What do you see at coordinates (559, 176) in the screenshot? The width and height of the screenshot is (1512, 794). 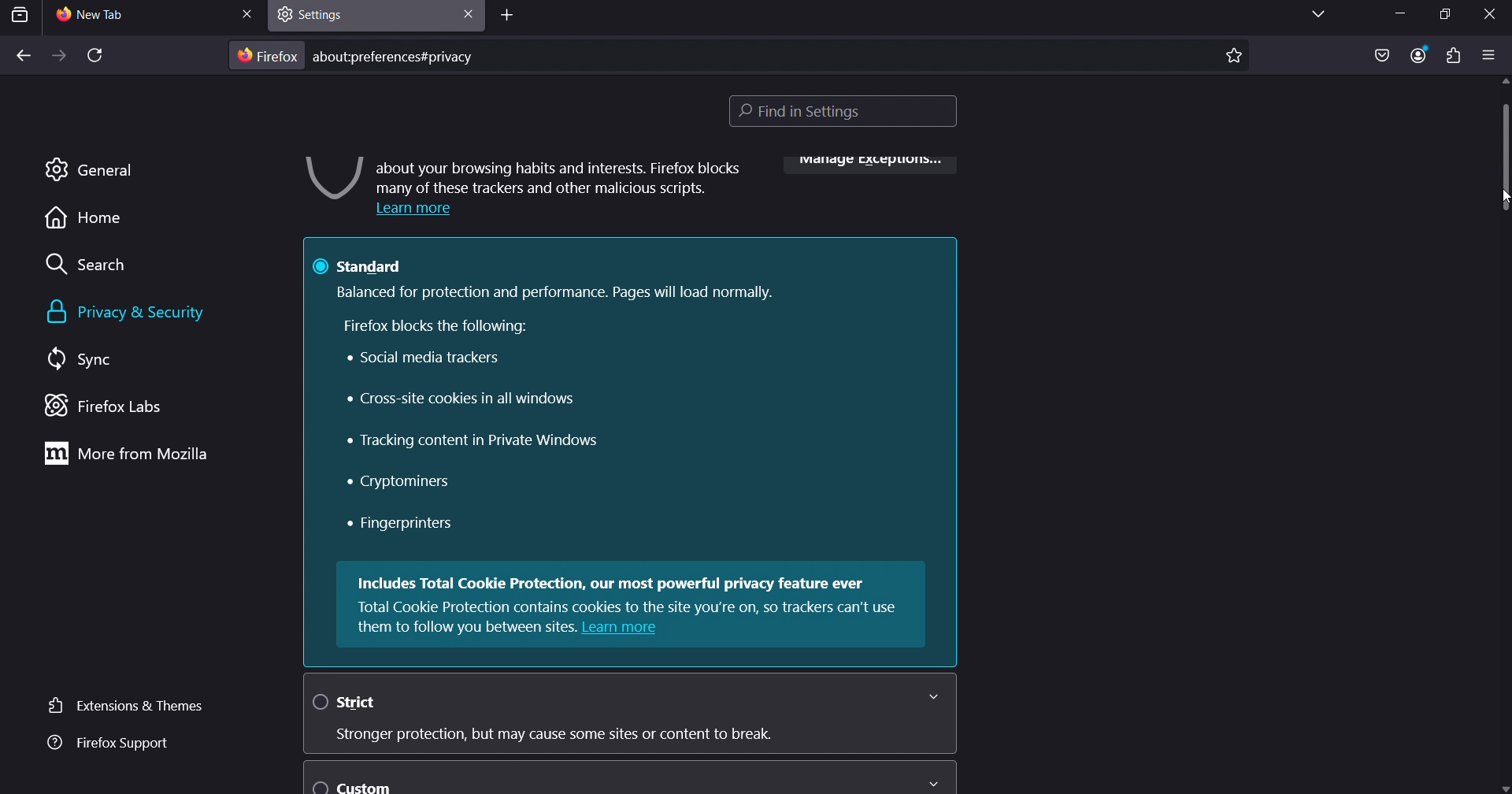 I see `about your browsing habits and interests. Firefox blocks
many of these trackers and other malicious scripts.` at bounding box center [559, 176].